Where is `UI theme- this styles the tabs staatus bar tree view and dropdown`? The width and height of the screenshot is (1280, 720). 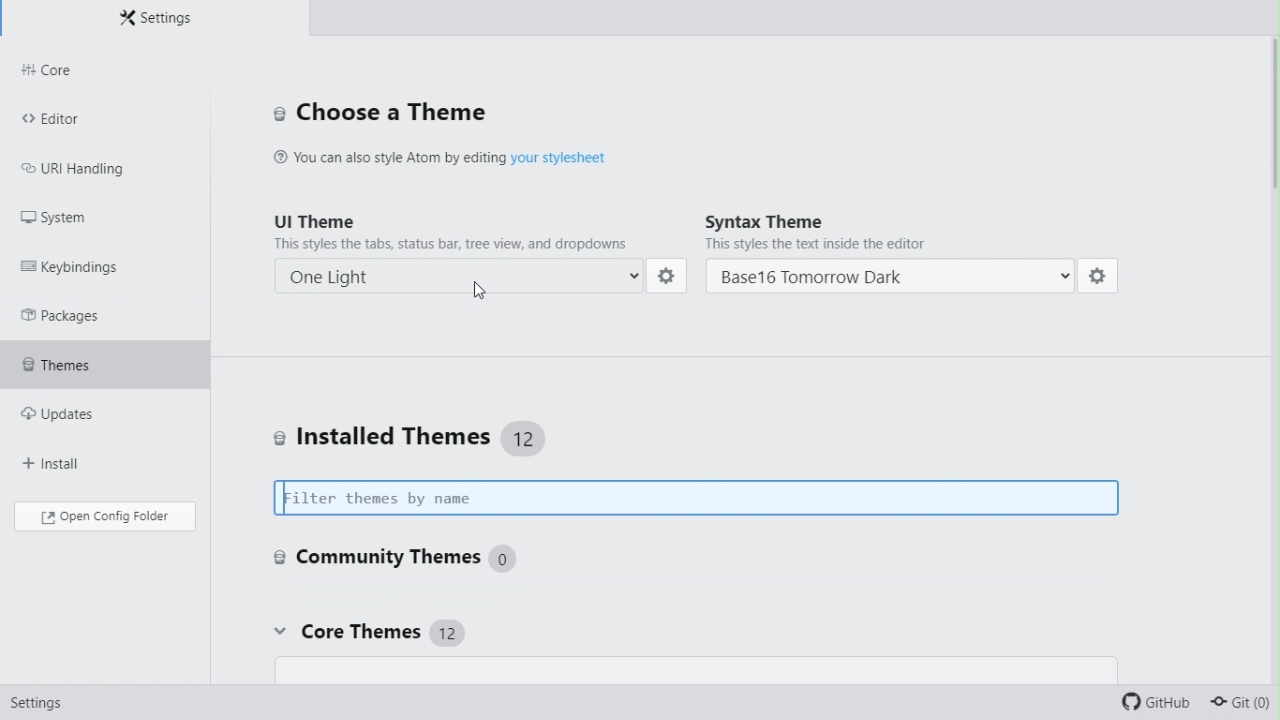
UI theme- this styles the tabs staatus bar tree view and dropdown is located at coordinates (459, 229).